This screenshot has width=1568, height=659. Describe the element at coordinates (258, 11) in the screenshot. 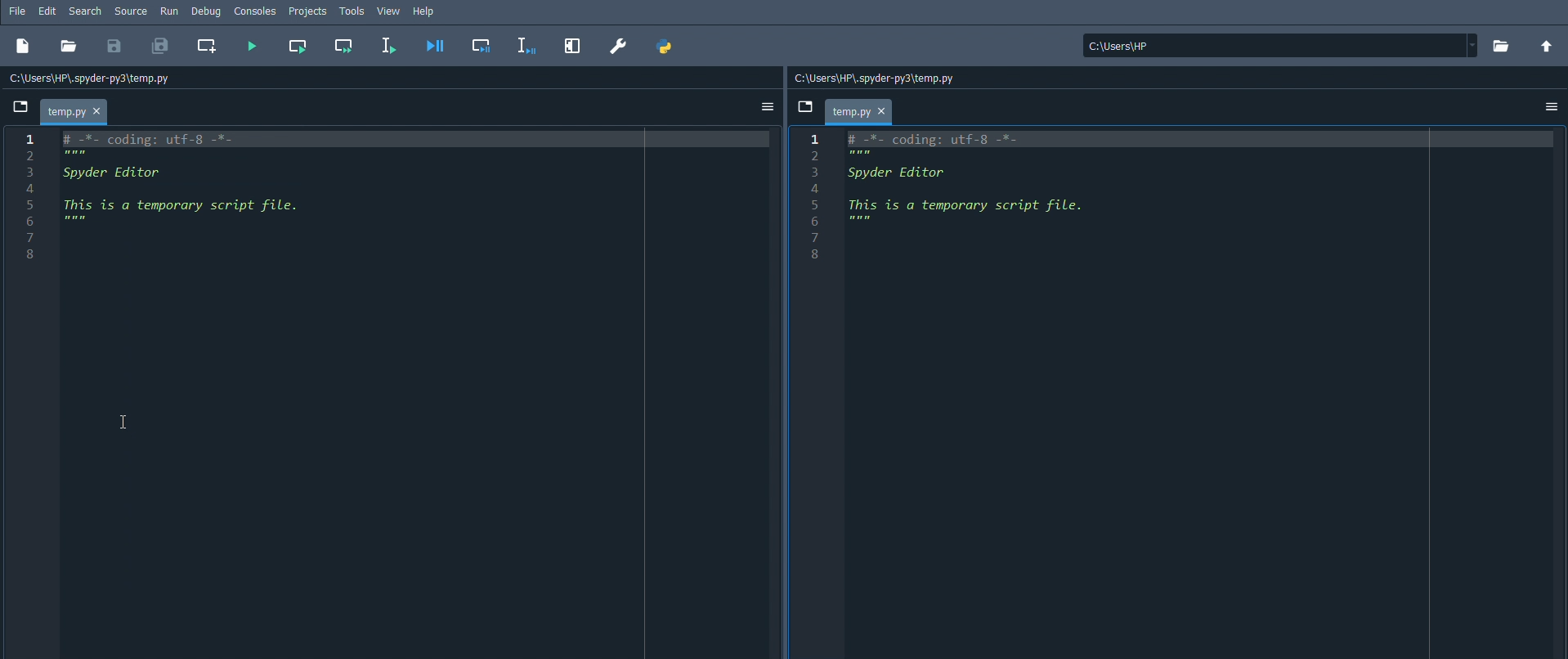

I see `Consoles` at that location.